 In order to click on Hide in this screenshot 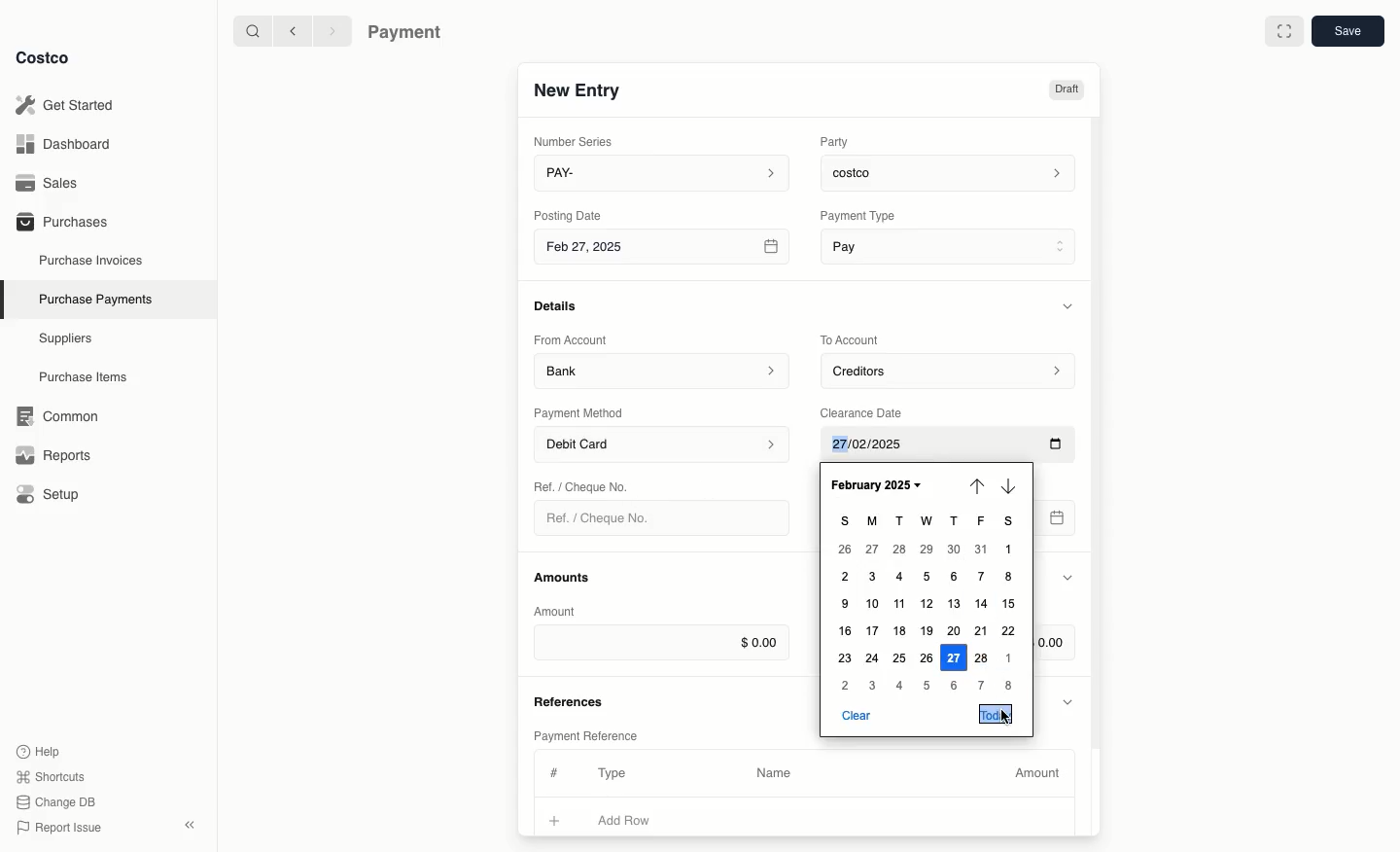, I will do `click(1067, 579)`.